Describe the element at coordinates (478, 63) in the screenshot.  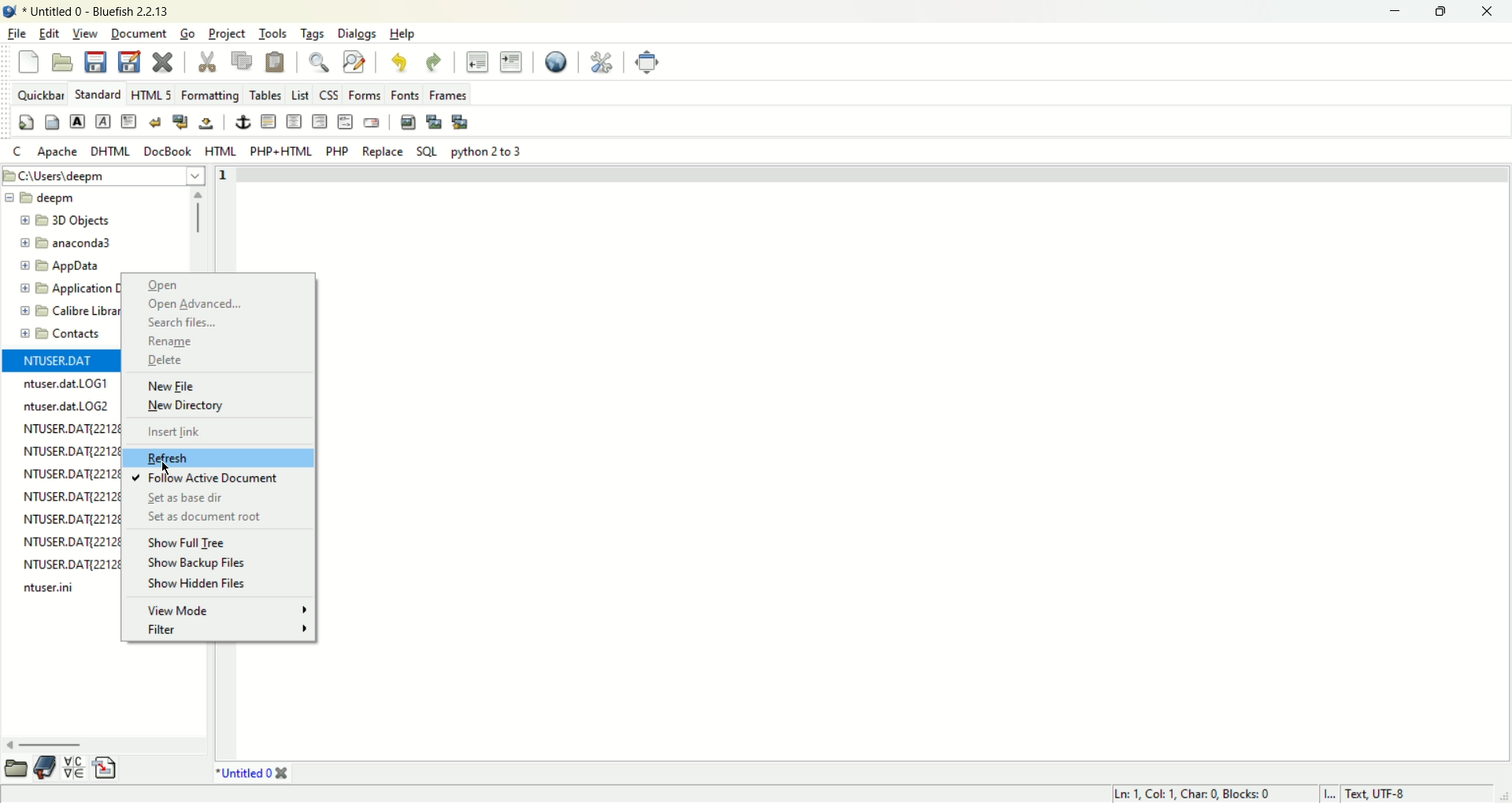
I see `unindent` at that location.